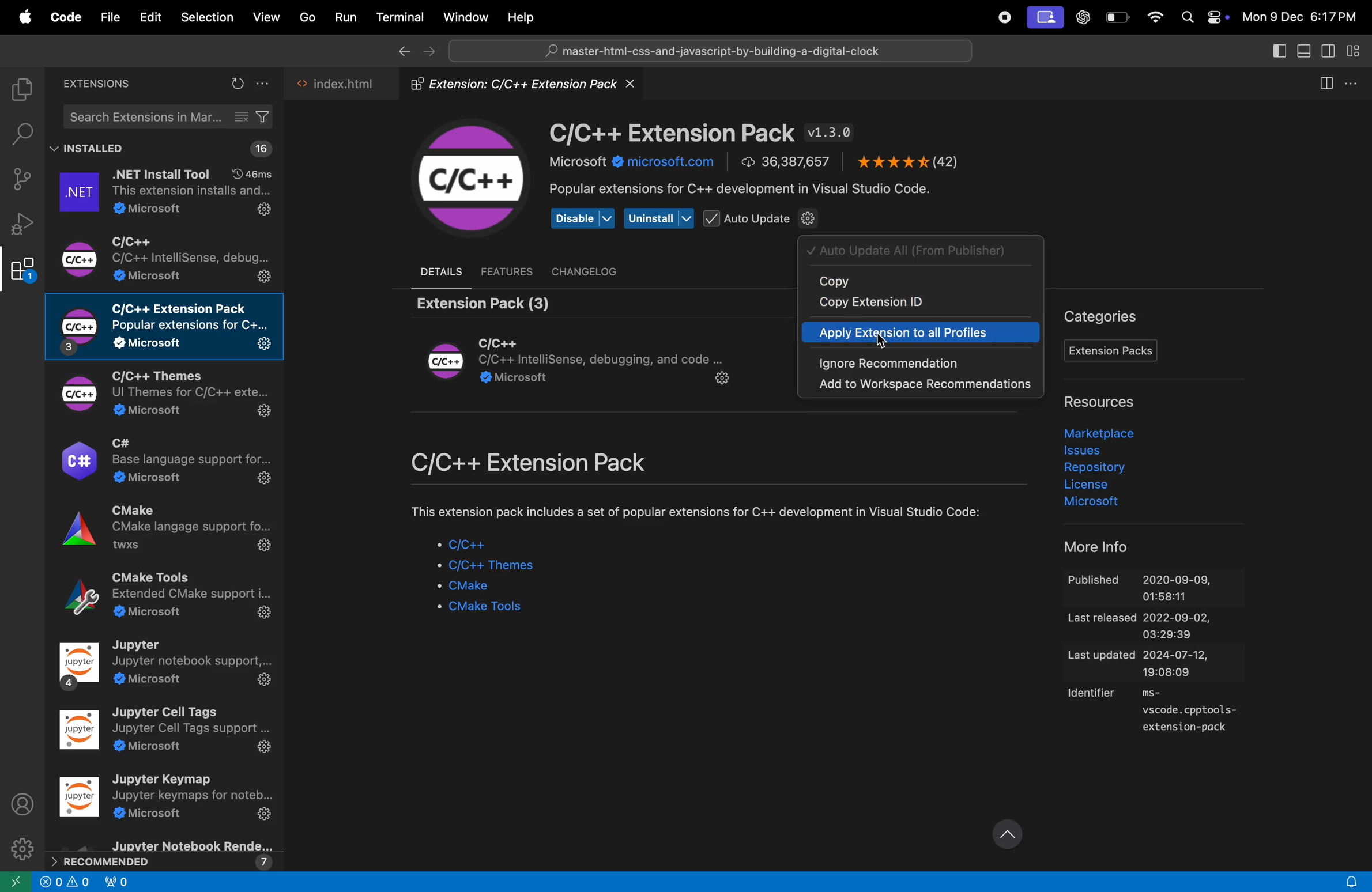  Describe the element at coordinates (1106, 317) in the screenshot. I see `Categories` at that location.